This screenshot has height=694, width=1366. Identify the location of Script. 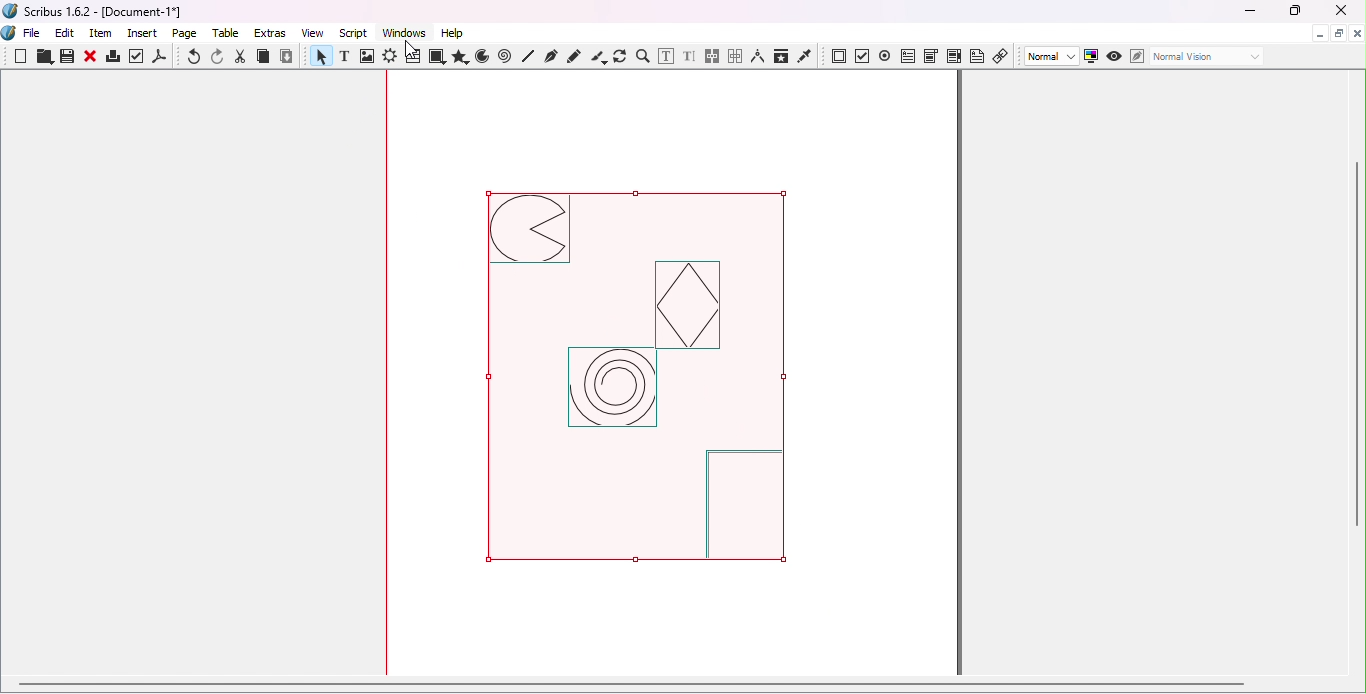
(356, 32).